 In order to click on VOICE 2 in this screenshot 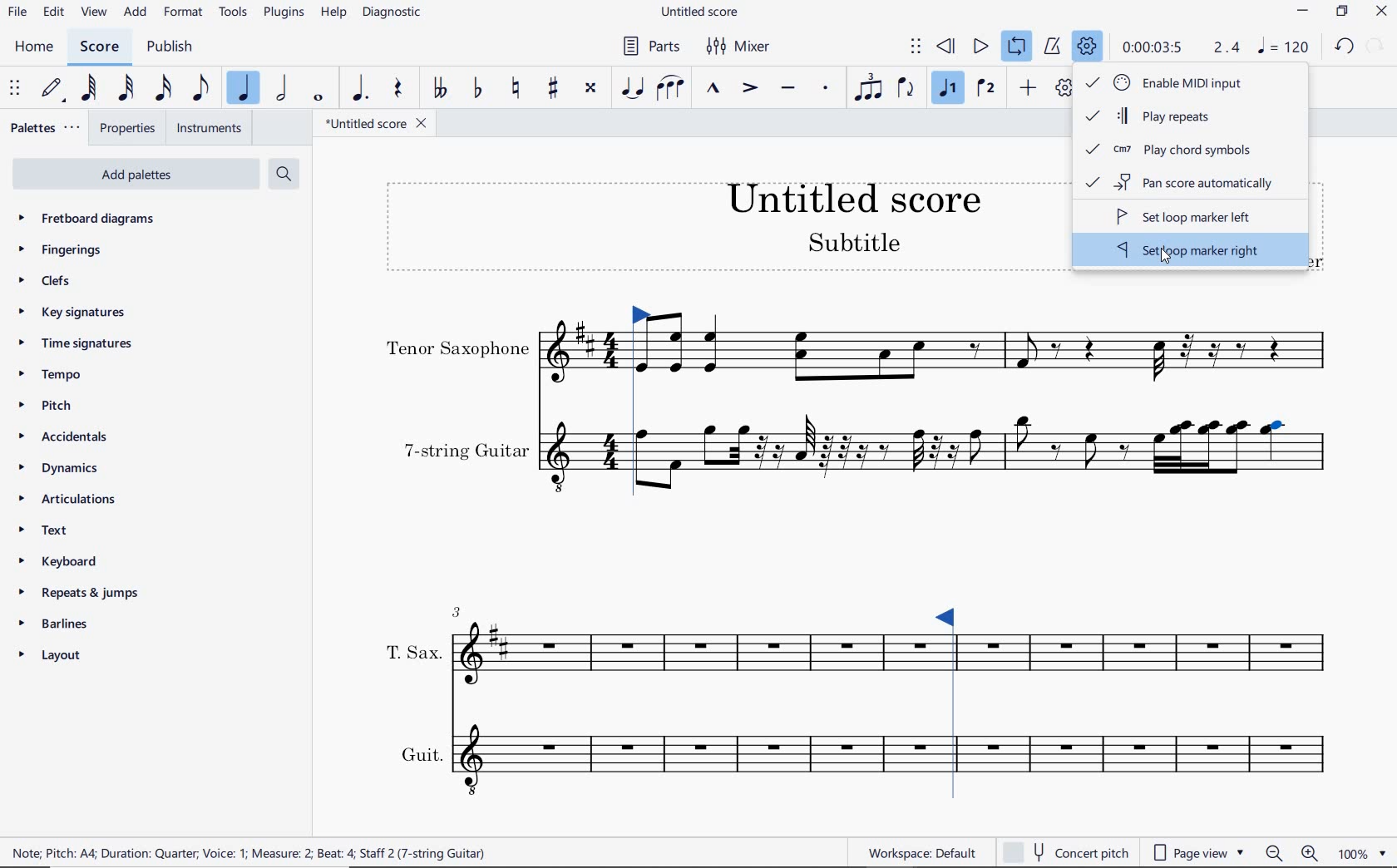, I will do `click(988, 89)`.